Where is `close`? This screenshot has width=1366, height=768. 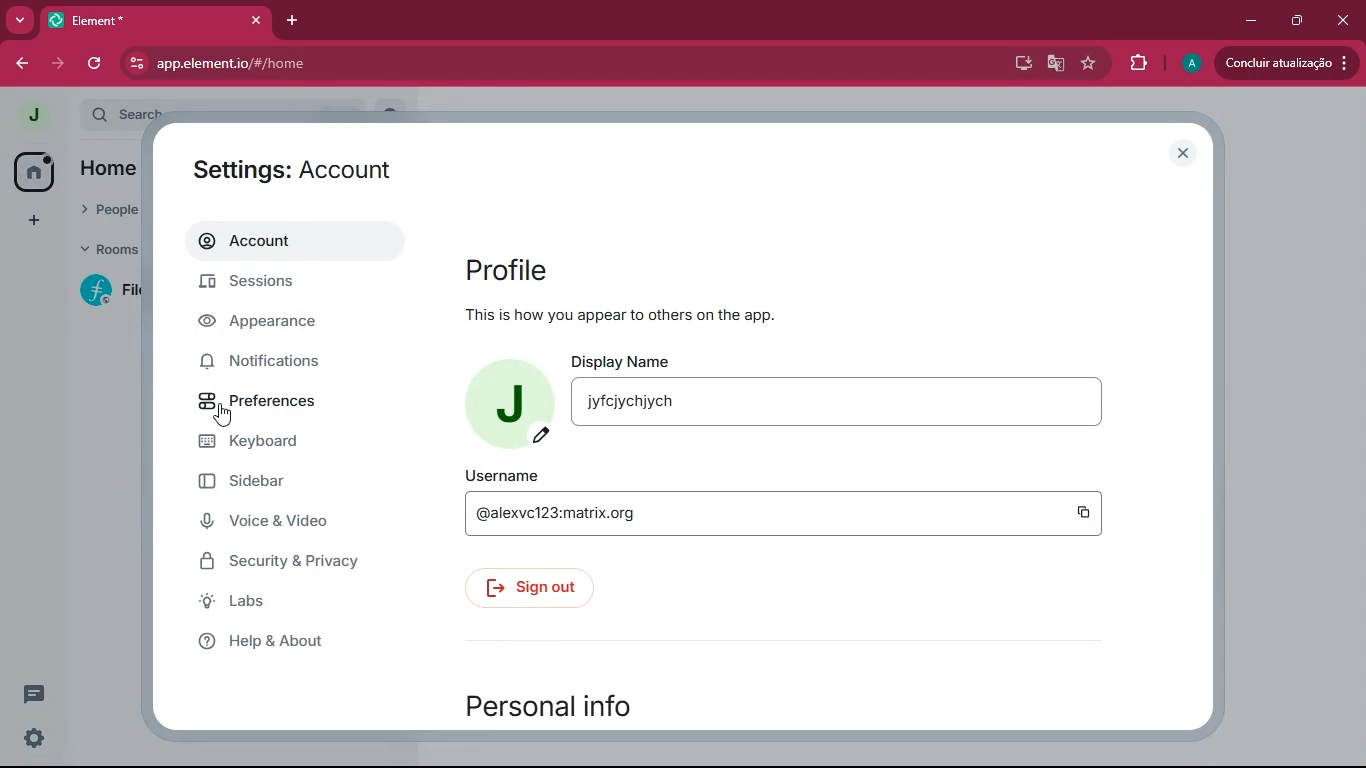
close is located at coordinates (1180, 152).